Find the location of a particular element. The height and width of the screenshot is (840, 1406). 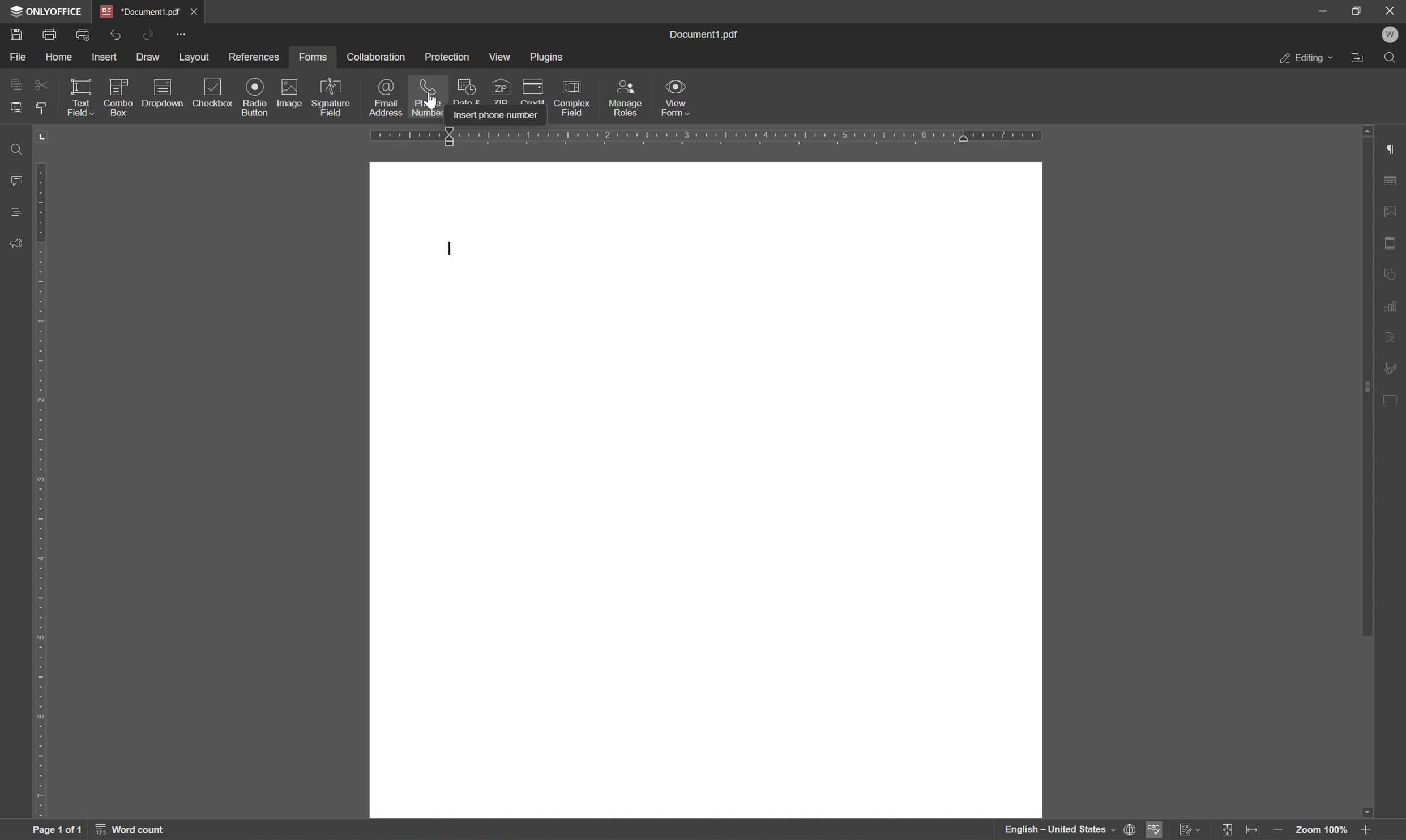

phone number is located at coordinates (430, 98).